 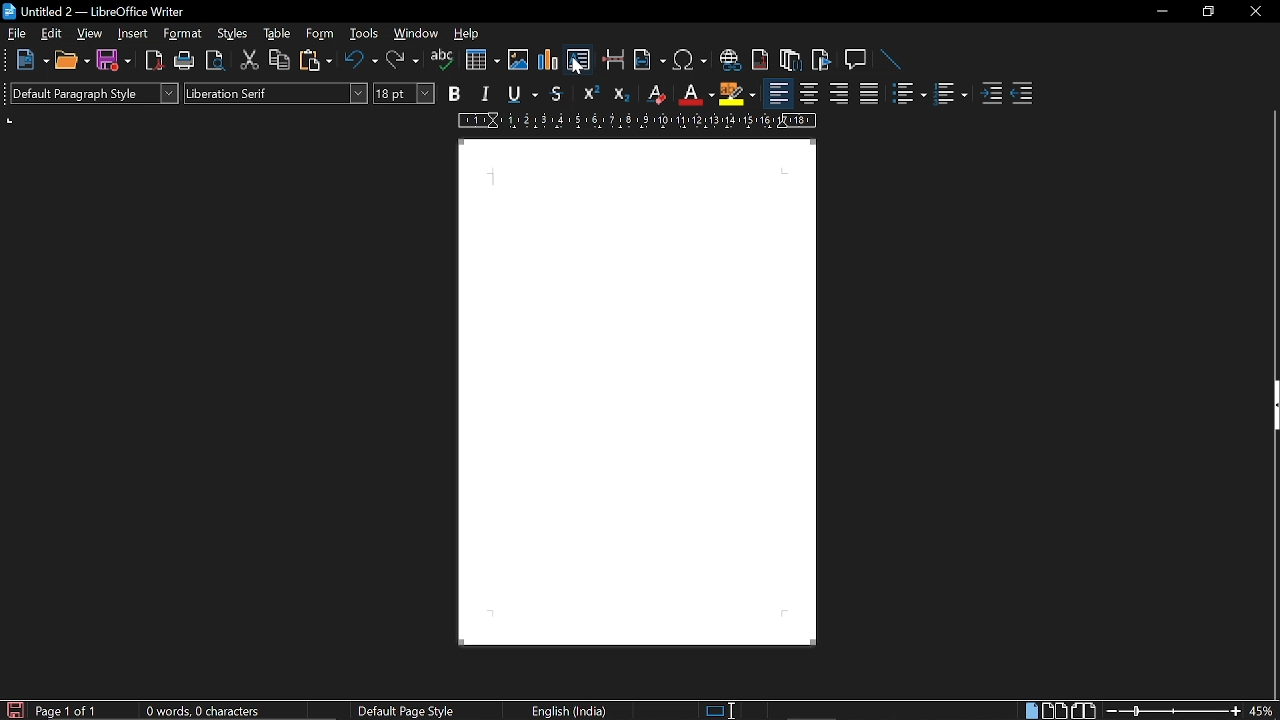 What do you see at coordinates (276, 92) in the screenshot?
I see `text style` at bounding box center [276, 92].